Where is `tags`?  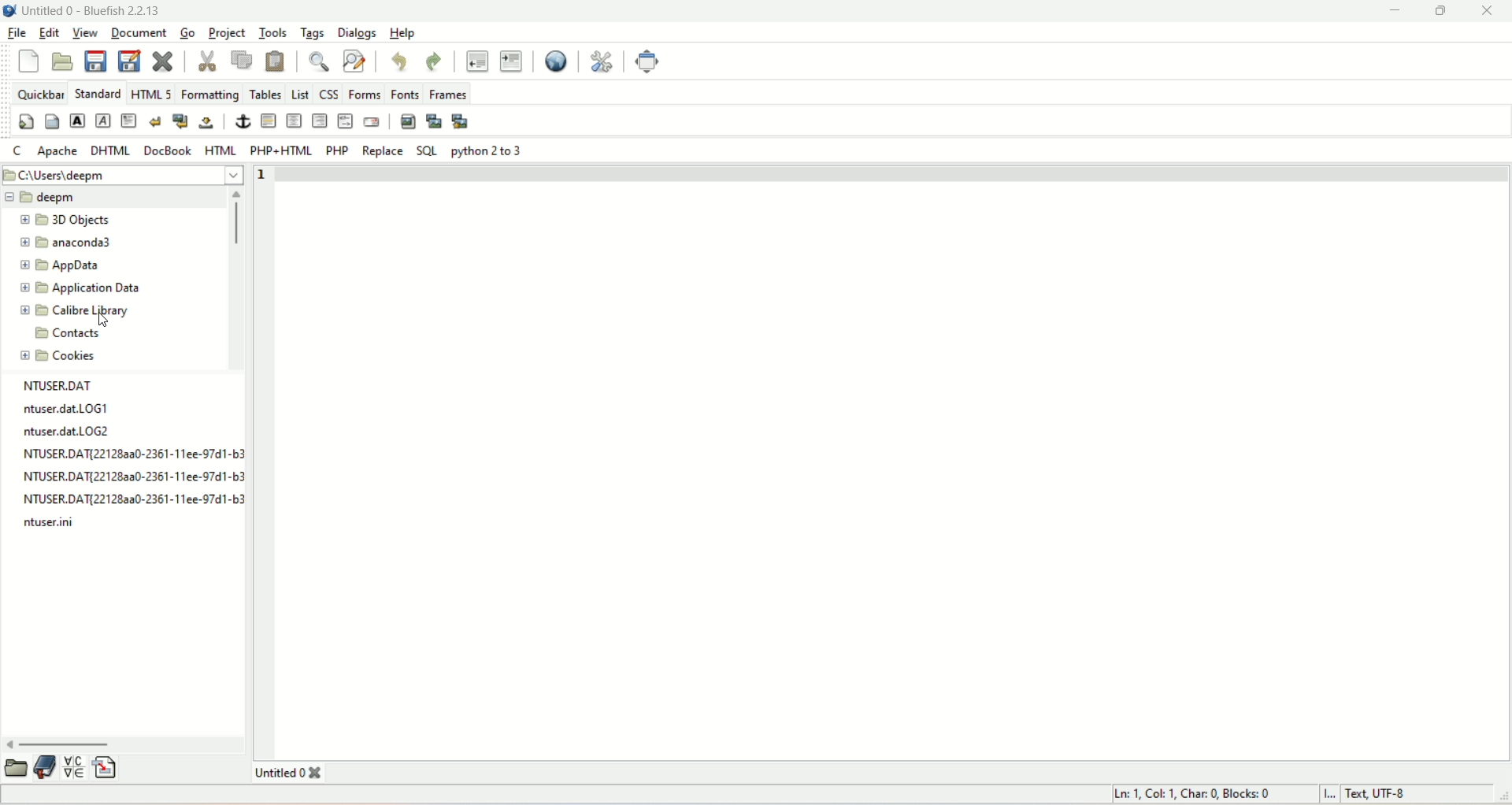
tags is located at coordinates (309, 35).